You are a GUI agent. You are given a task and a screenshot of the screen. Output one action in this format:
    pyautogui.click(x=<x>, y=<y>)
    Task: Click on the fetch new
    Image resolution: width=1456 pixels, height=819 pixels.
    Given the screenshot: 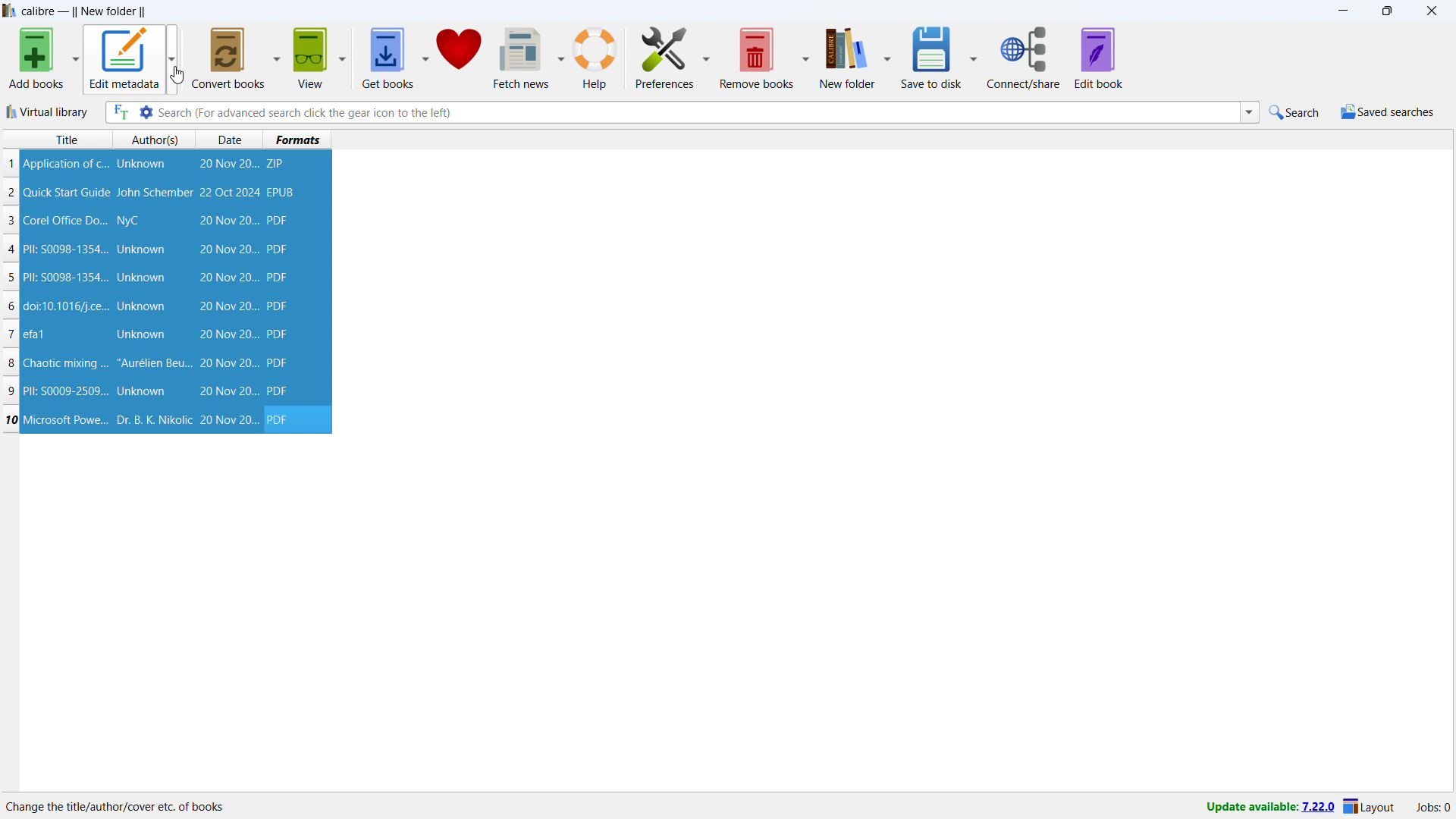 What is the action you would take?
    pyautogui.click(x=521, y=58)
    